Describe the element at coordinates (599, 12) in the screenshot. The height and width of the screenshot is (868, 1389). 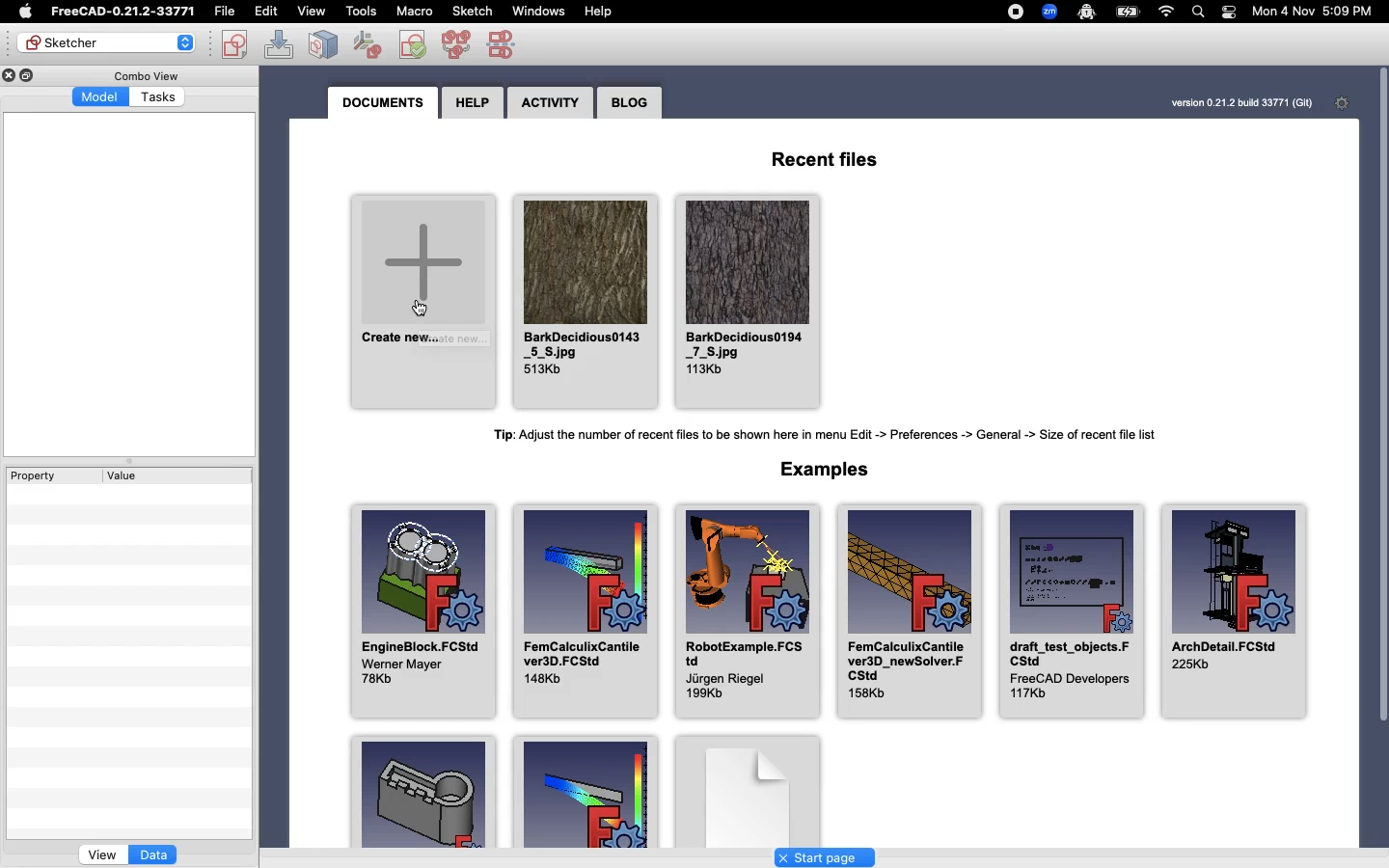
I see `Help` at that location.